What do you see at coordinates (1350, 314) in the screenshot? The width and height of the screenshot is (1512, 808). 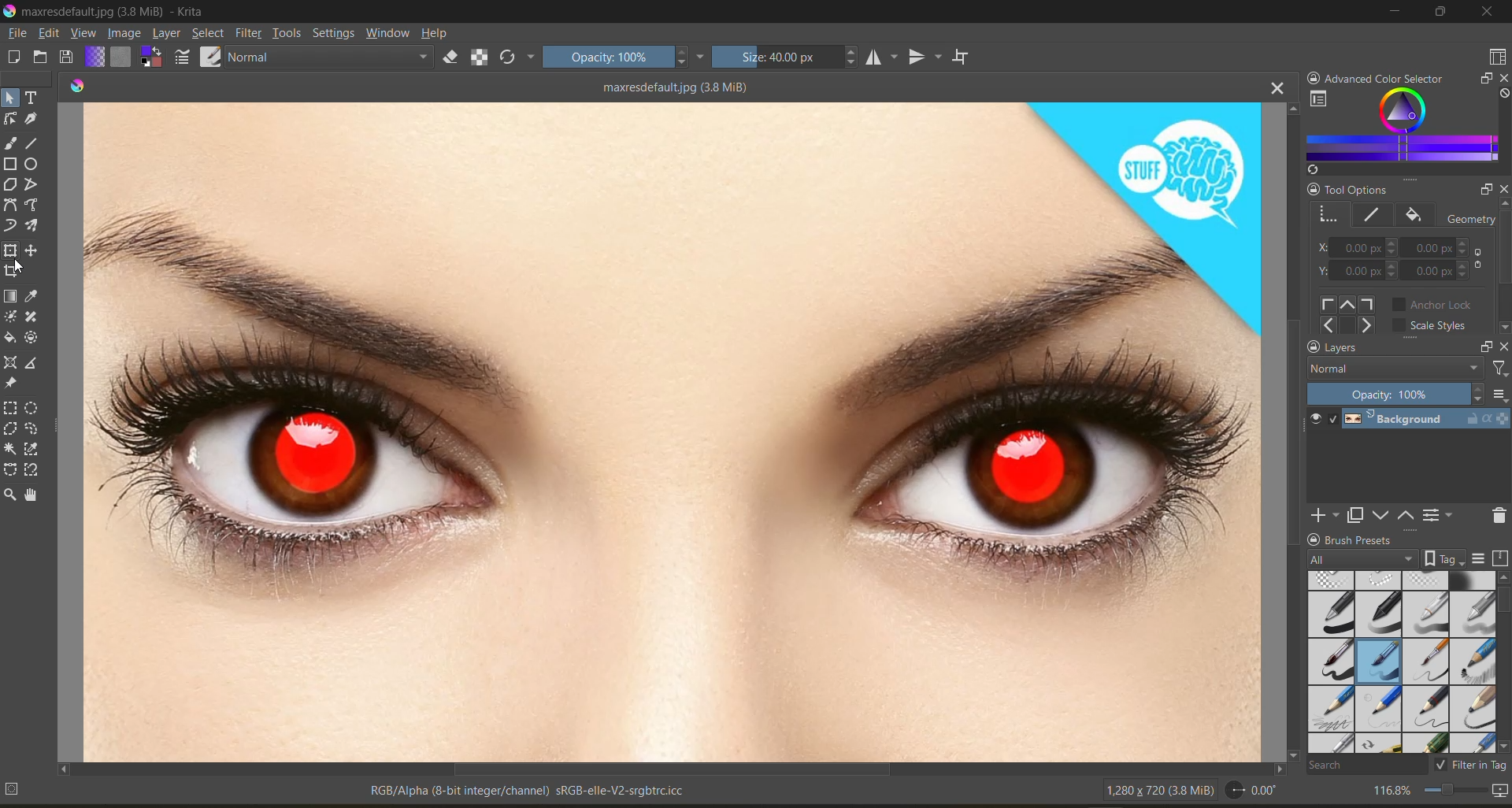 I see `Anchors` at bounding box center [1350, 314].